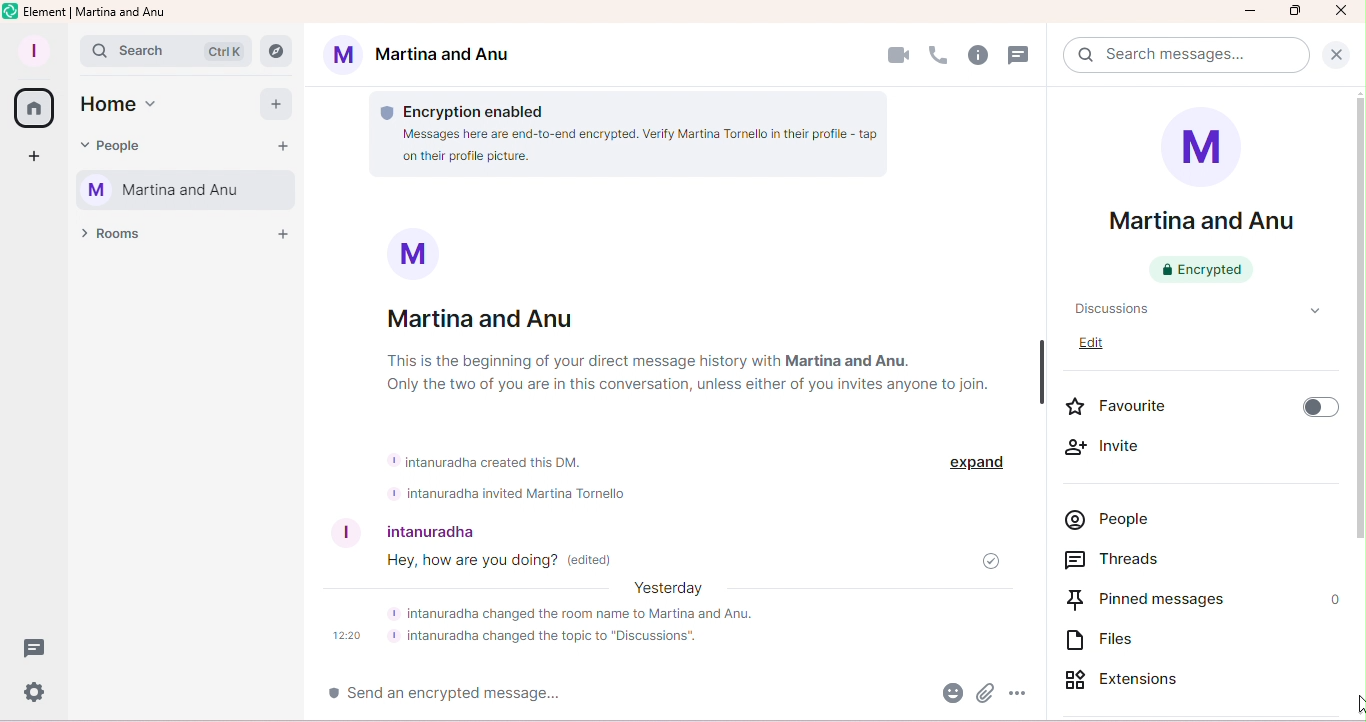  What do you see at coordinates (167, 50) in the screenshot?
I see `Search bar` at bounding box center [167, 50].